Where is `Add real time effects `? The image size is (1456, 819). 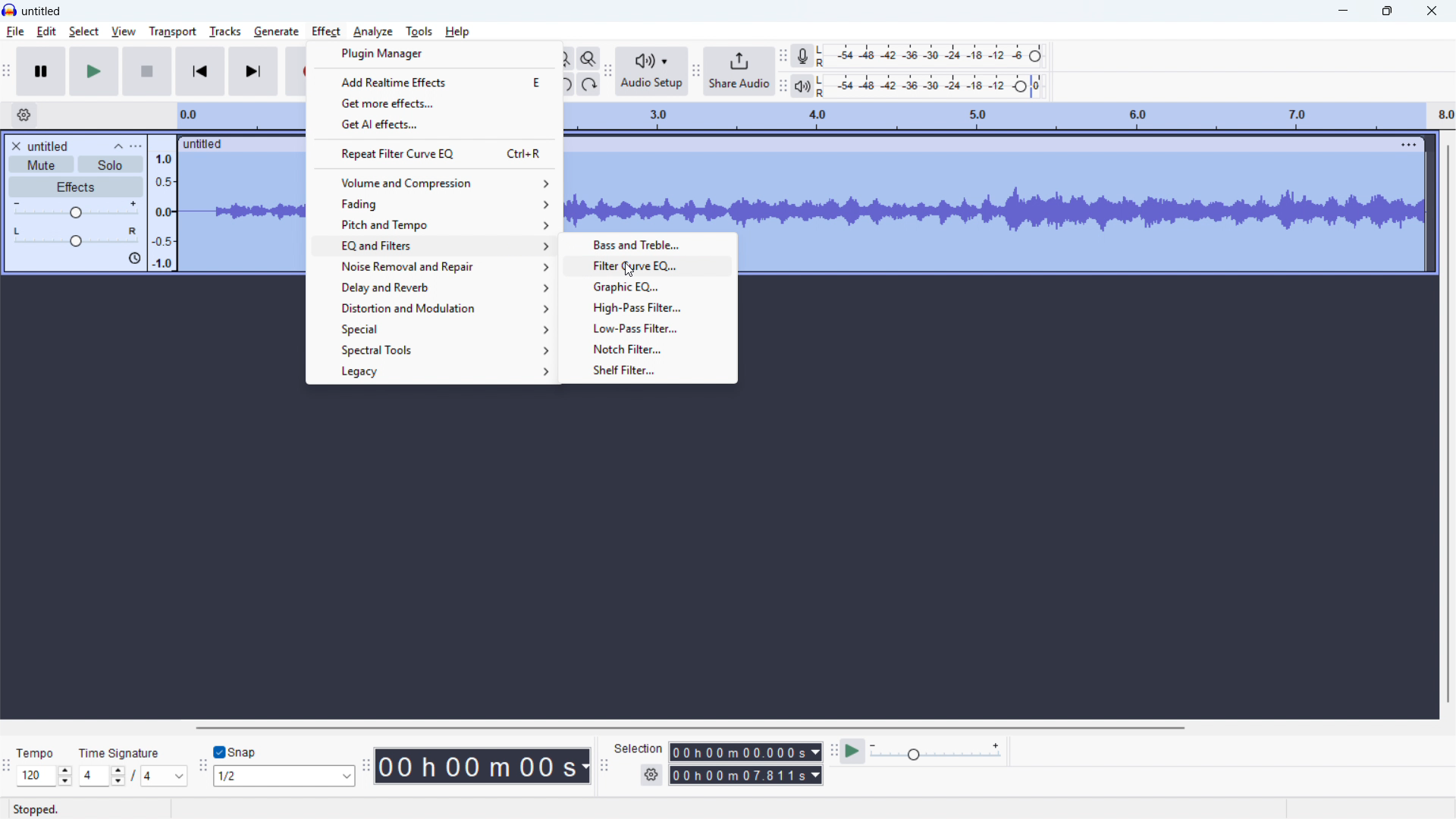 Add real time effects  is located at coordinates (431, 82).